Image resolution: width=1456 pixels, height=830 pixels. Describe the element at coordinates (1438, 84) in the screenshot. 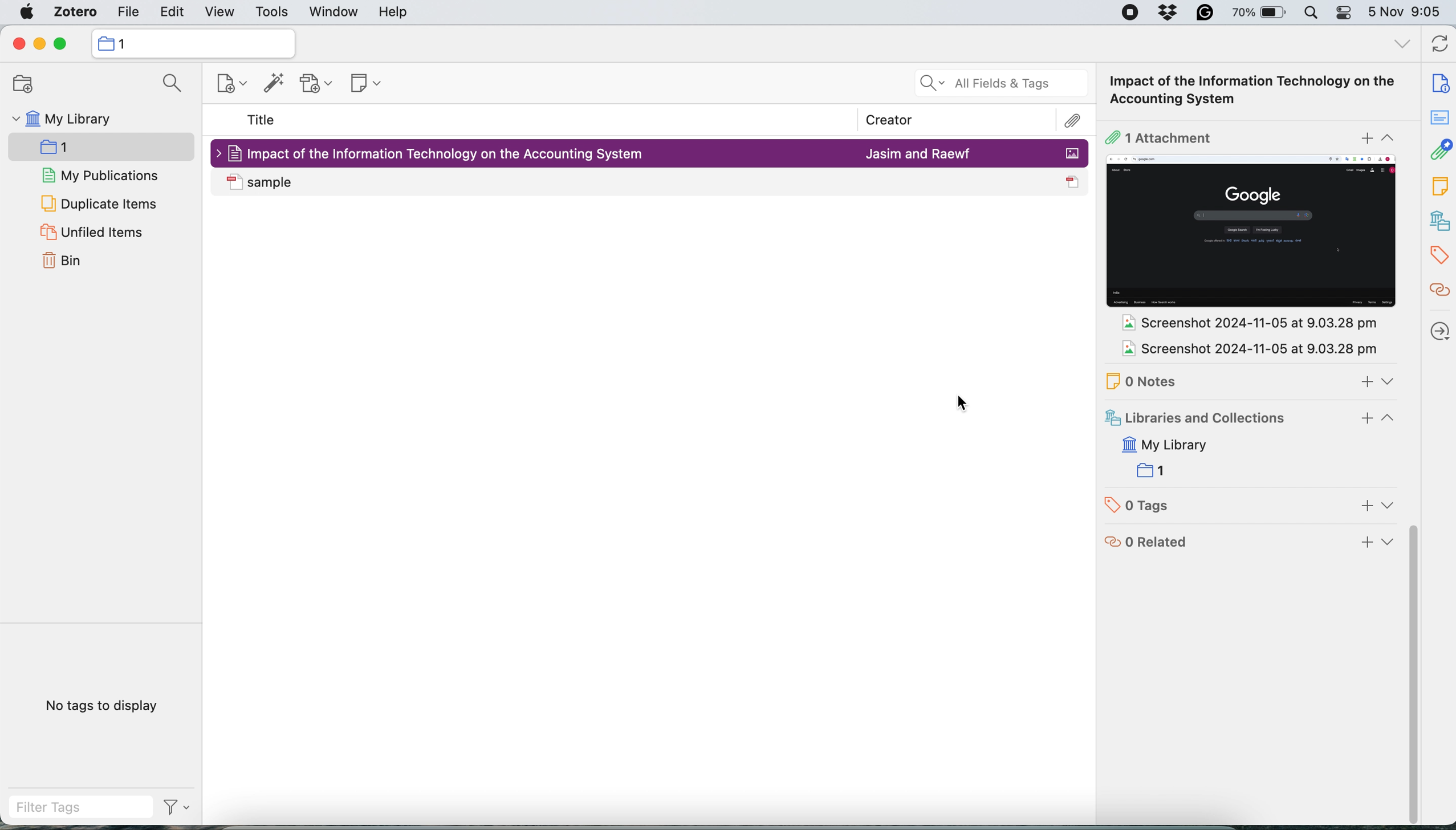

I see `info` at that location.